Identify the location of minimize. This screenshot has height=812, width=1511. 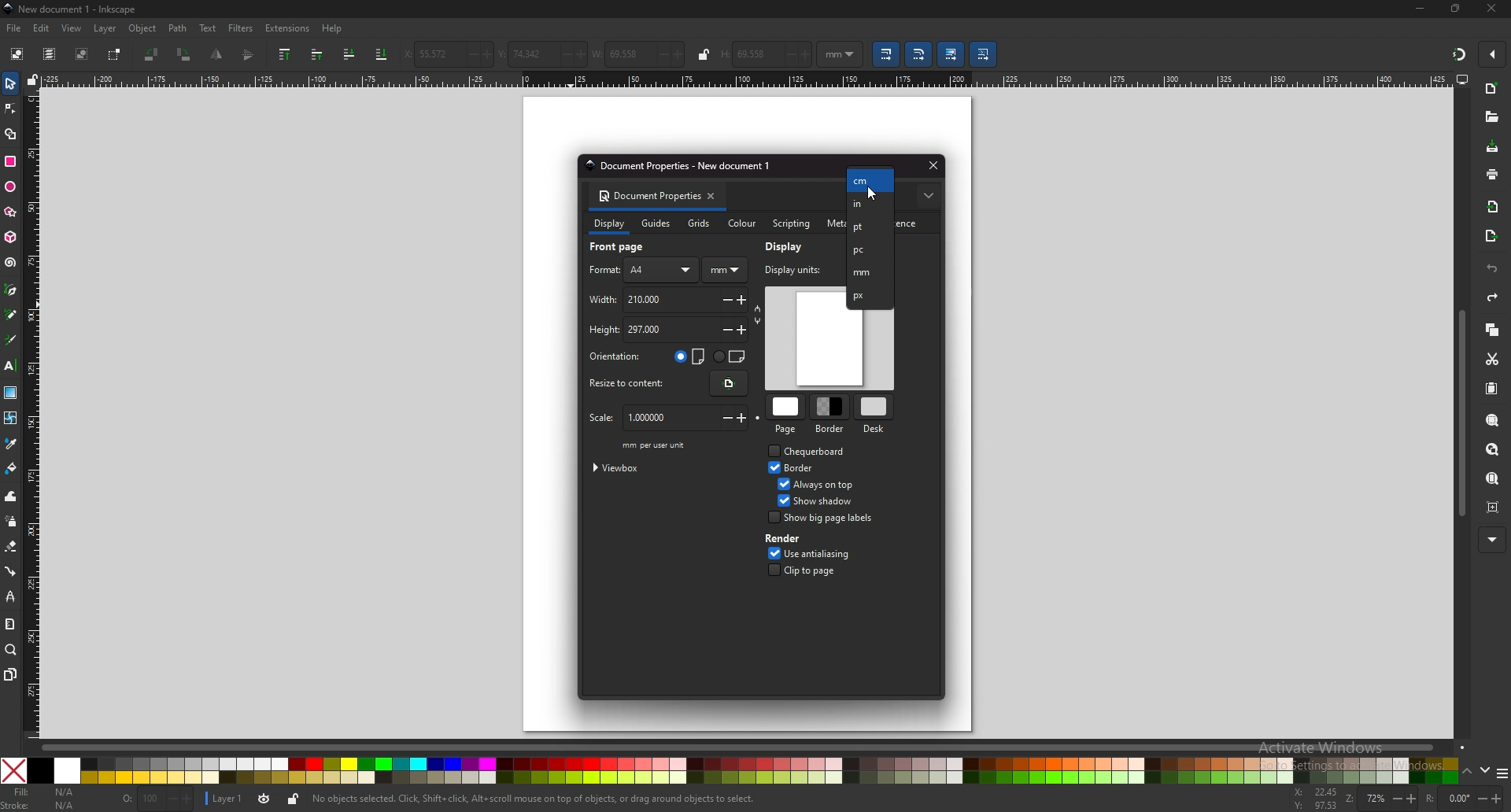
(1420, 8).